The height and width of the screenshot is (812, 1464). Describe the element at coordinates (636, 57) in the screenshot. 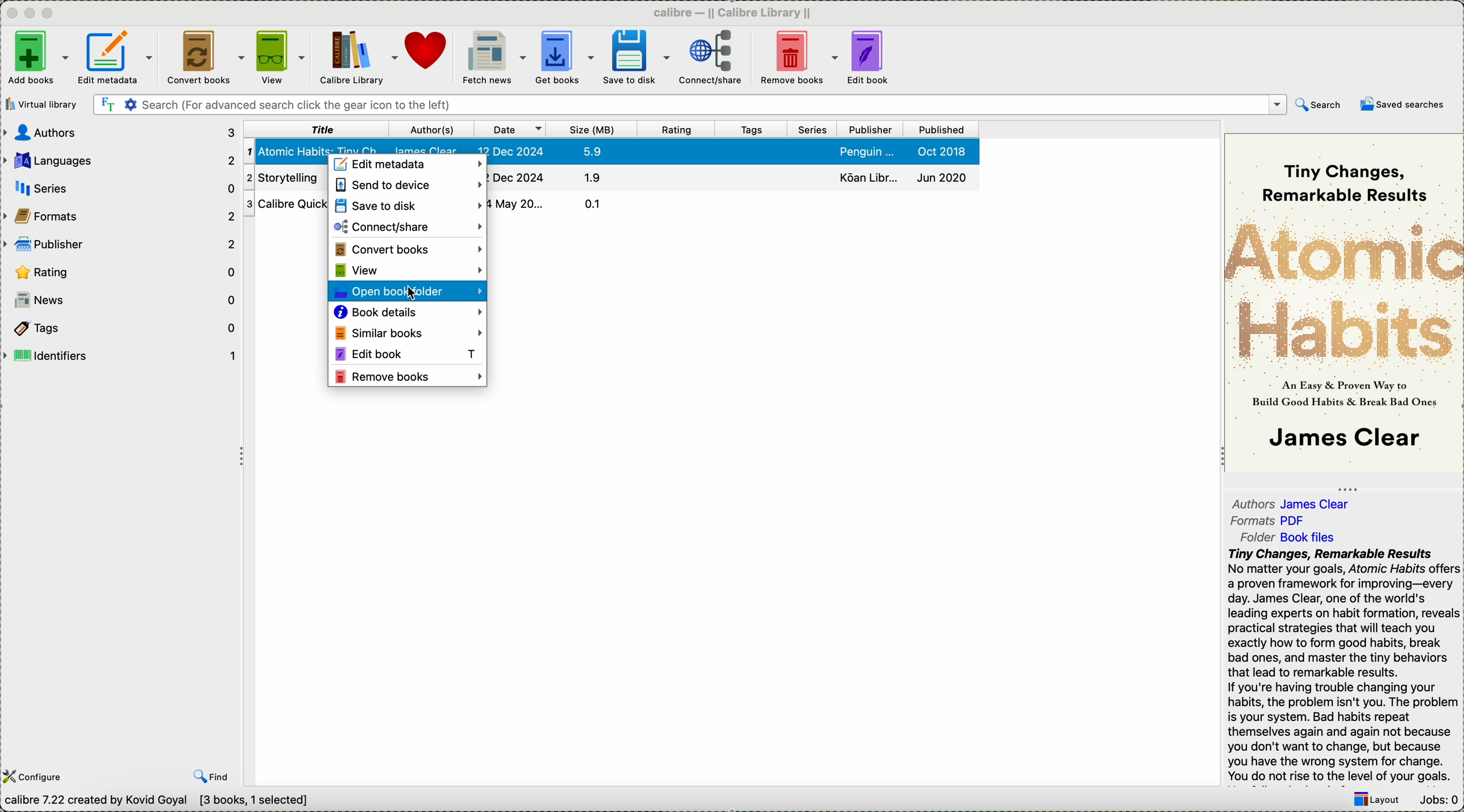

I see `save to disk` at that location.